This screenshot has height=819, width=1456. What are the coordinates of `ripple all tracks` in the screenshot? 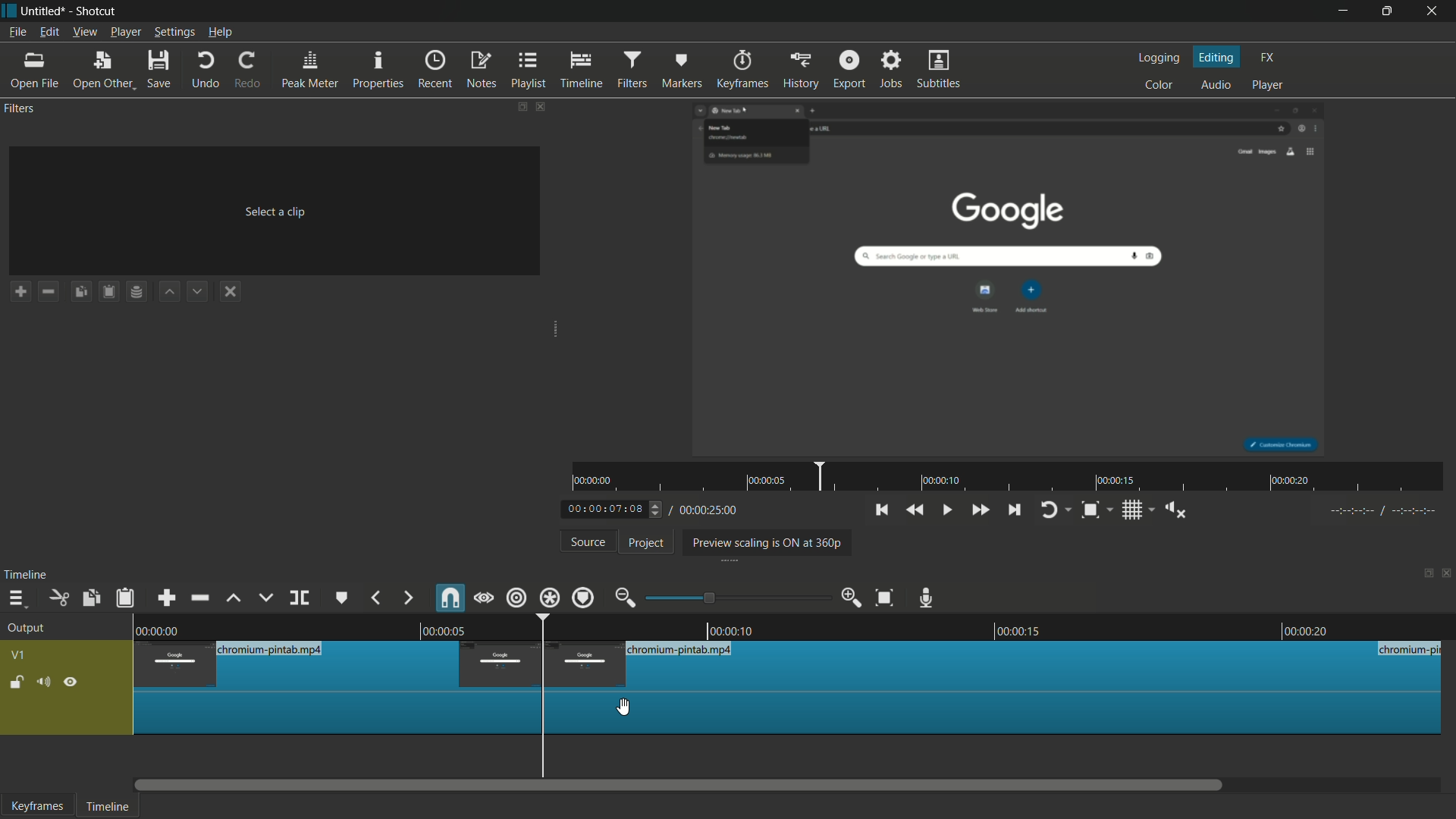 It's located at (548, 598).